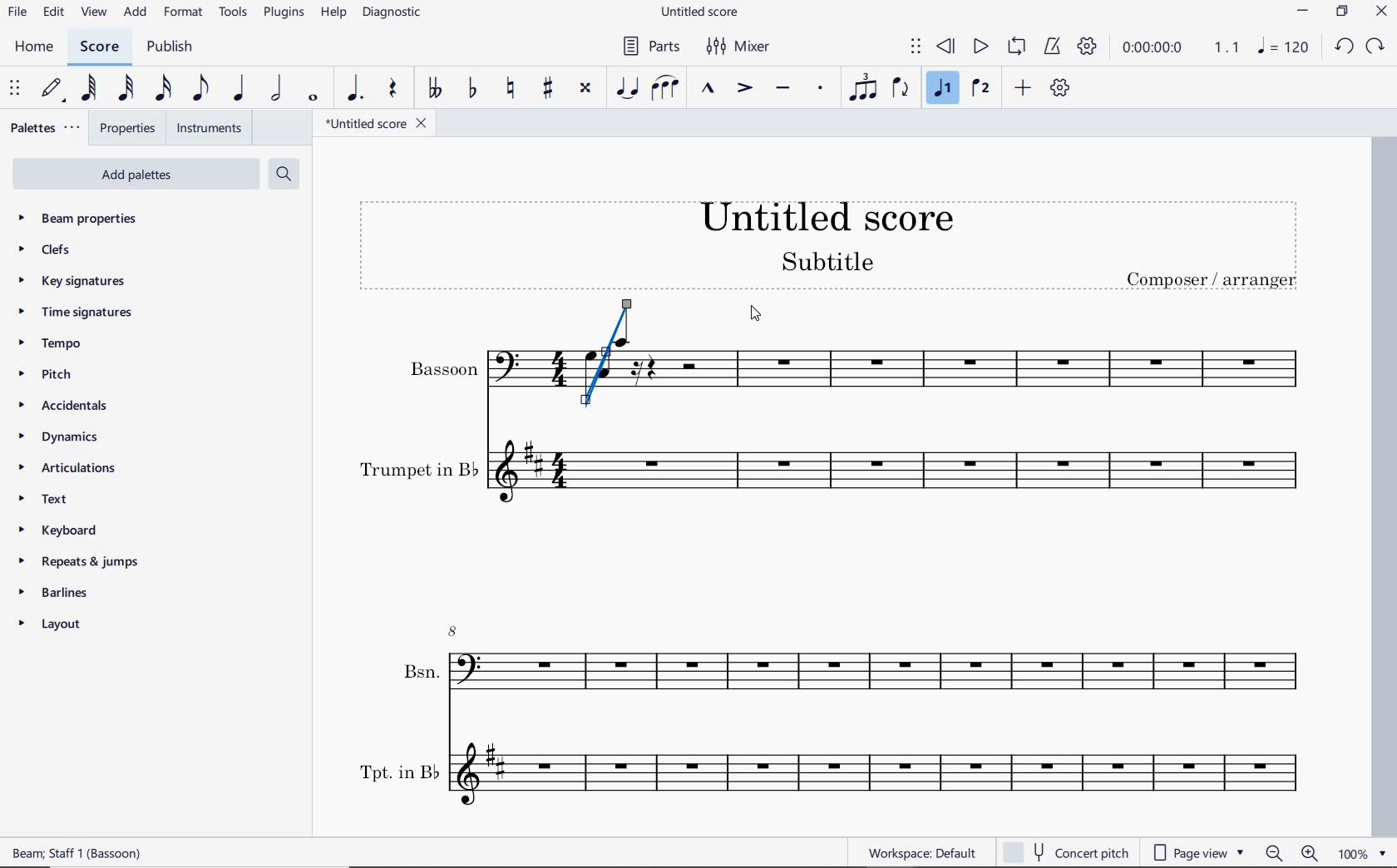 Image resolution: width=1397 pixels, height=868 pixels. Describe the element at coordinates (170, 47) in the screenshot. I see `publish` at that location.